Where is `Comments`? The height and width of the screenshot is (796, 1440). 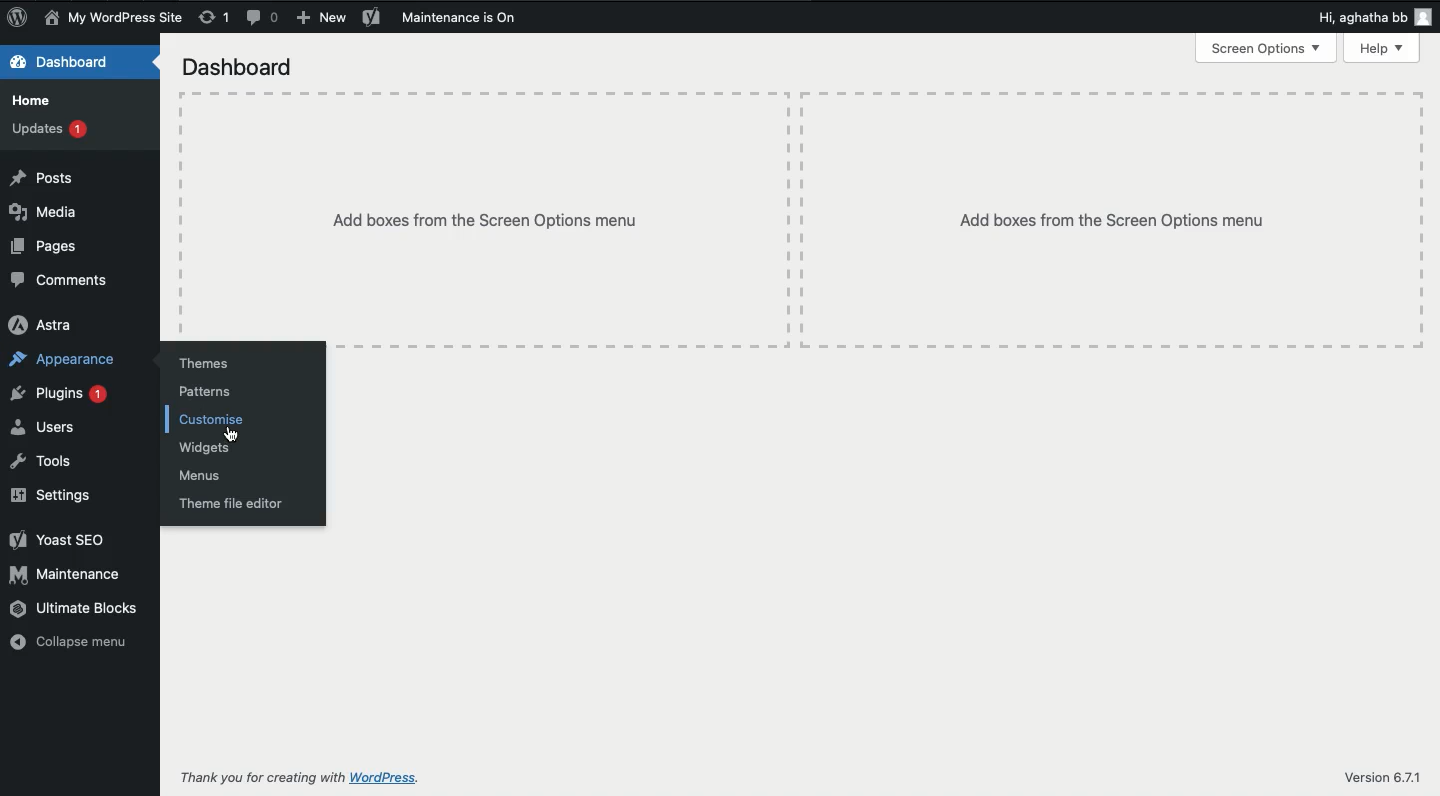
Comments is located at coordinates (266, 18).